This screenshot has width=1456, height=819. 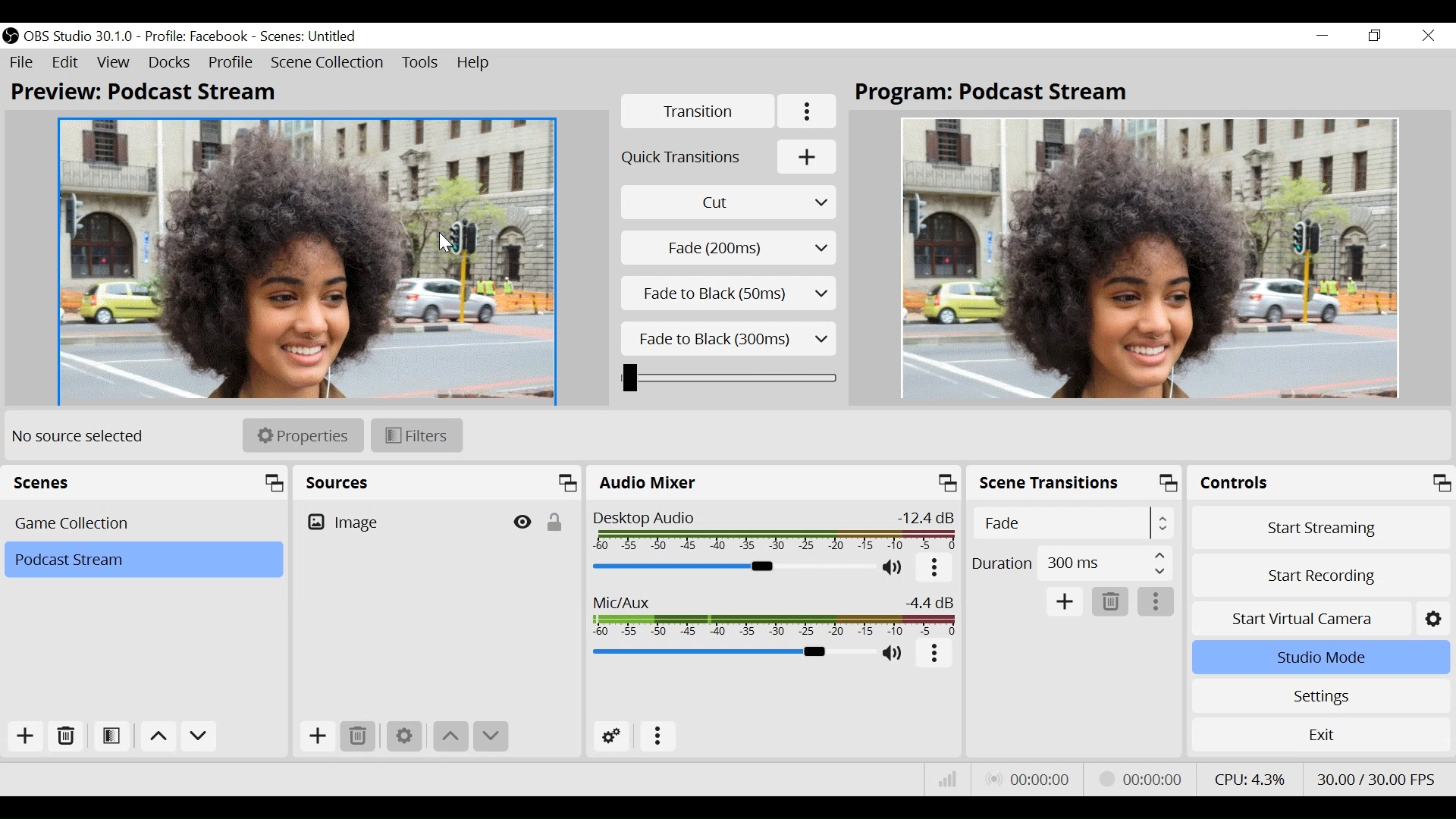 What do you see at coordinates (328, 64) in the screenshot?
I see `Scene Collection` at bounding box center [328, 64].